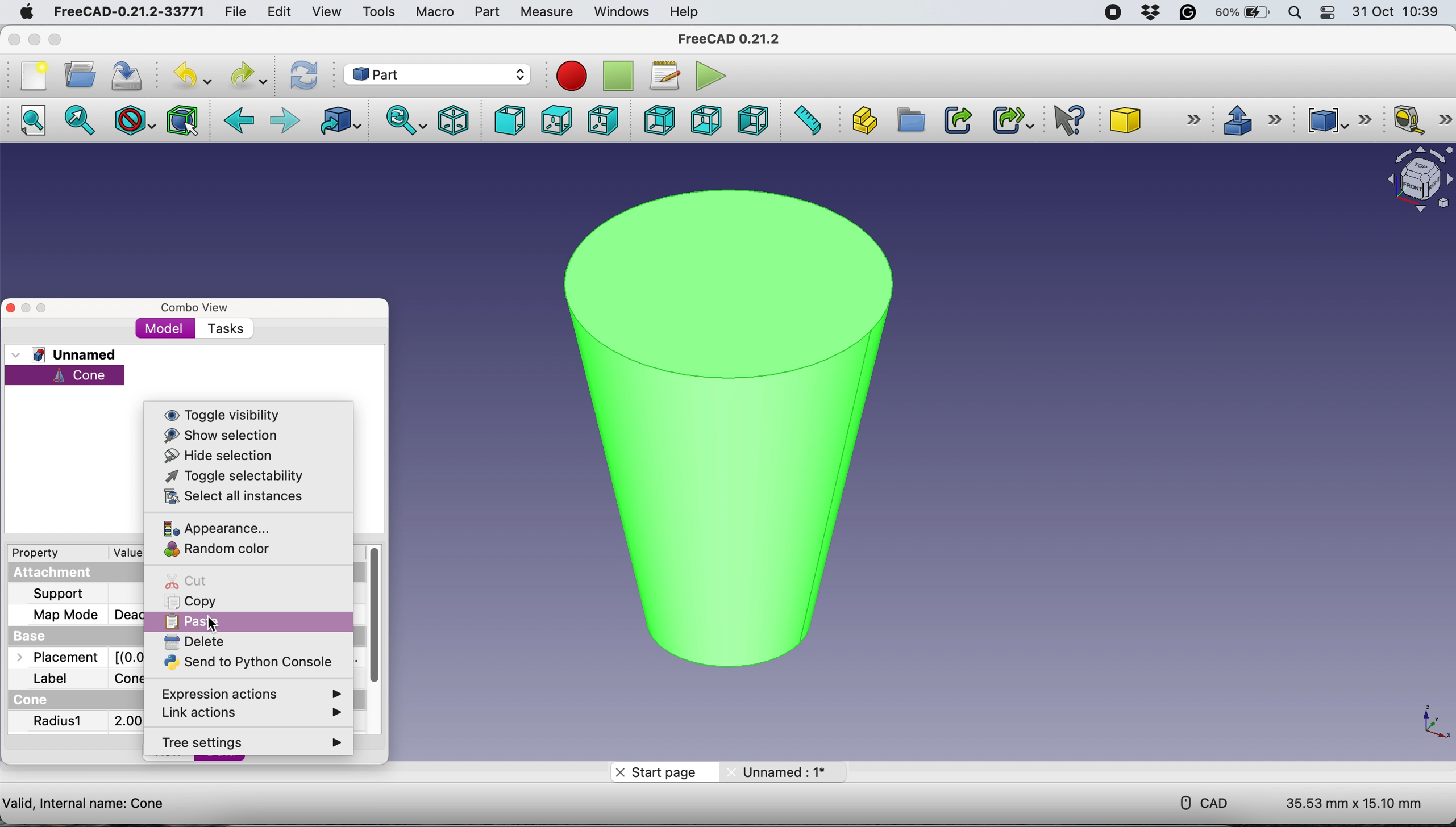 The height and width of the screenshot is (827, 1456). Describe the element at coordinates (302, 75) in the screenshot. I see `refresh` at that location.